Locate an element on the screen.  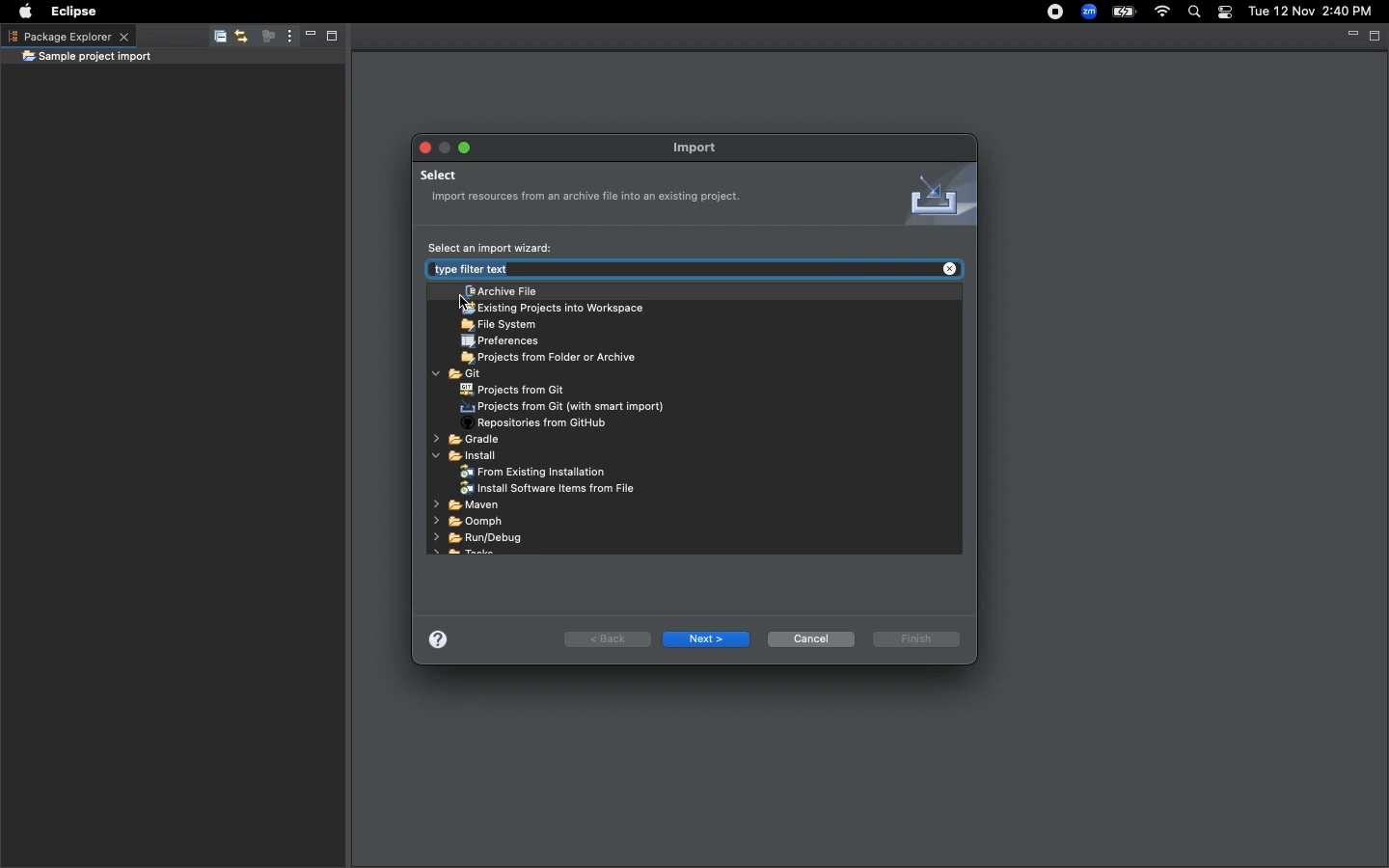
Type filter text is located at coordinates (582, 270).